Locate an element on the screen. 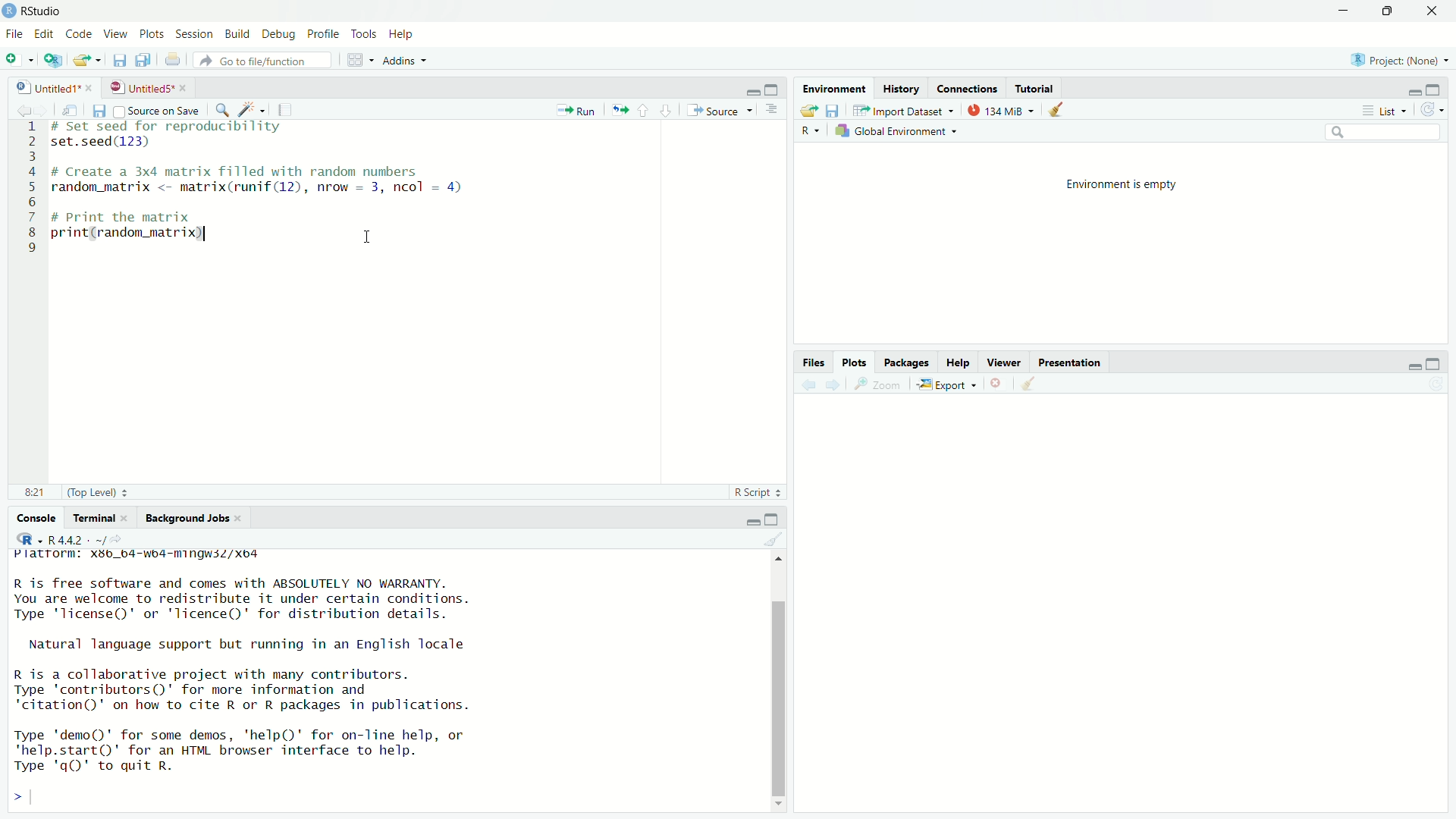 The width and height of the screenshot is (1456, 819). back is located at coordinates (810, 386).